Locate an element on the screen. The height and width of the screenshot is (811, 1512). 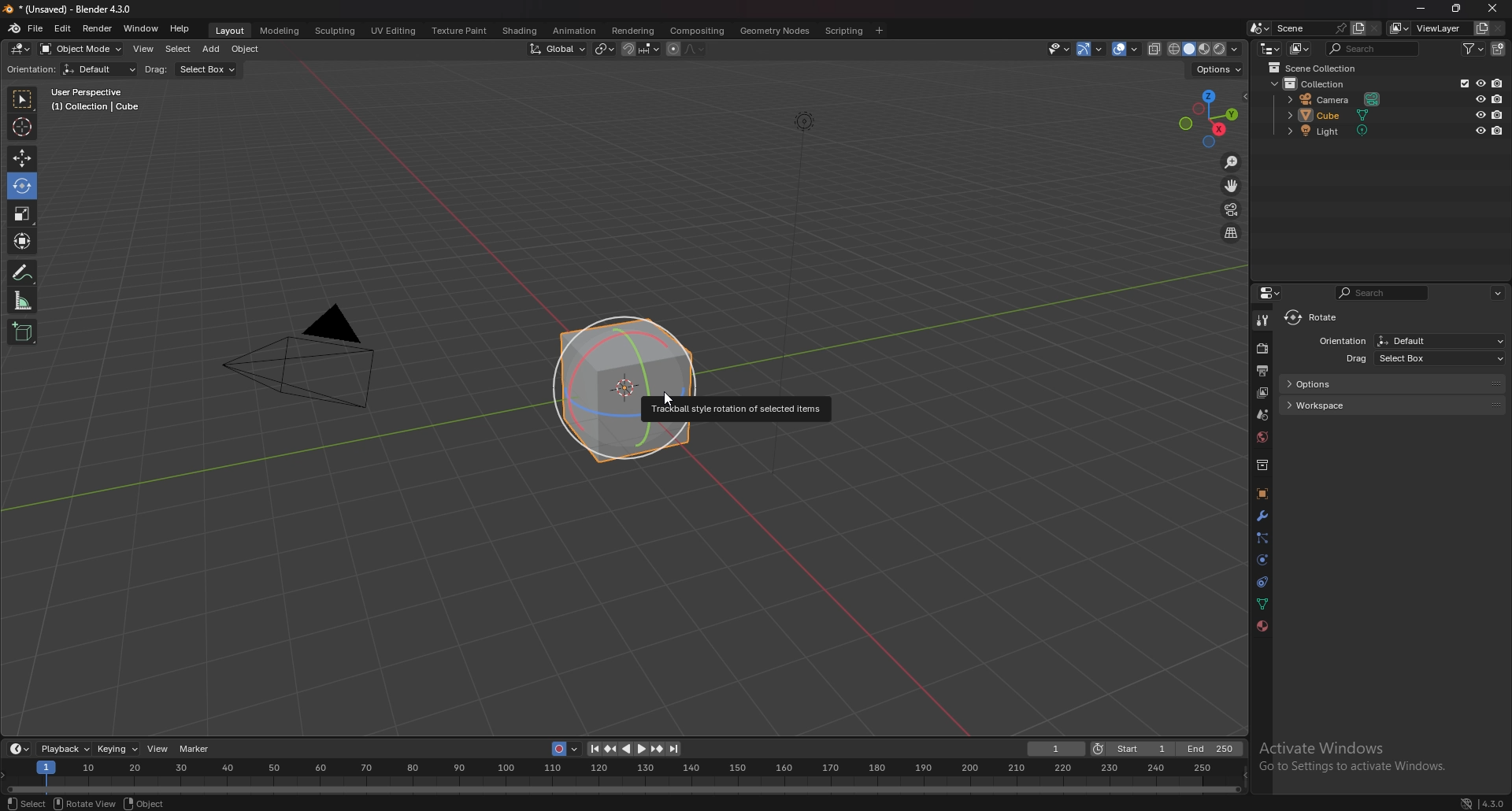
drag select box is located at coordinates (1412, 359).